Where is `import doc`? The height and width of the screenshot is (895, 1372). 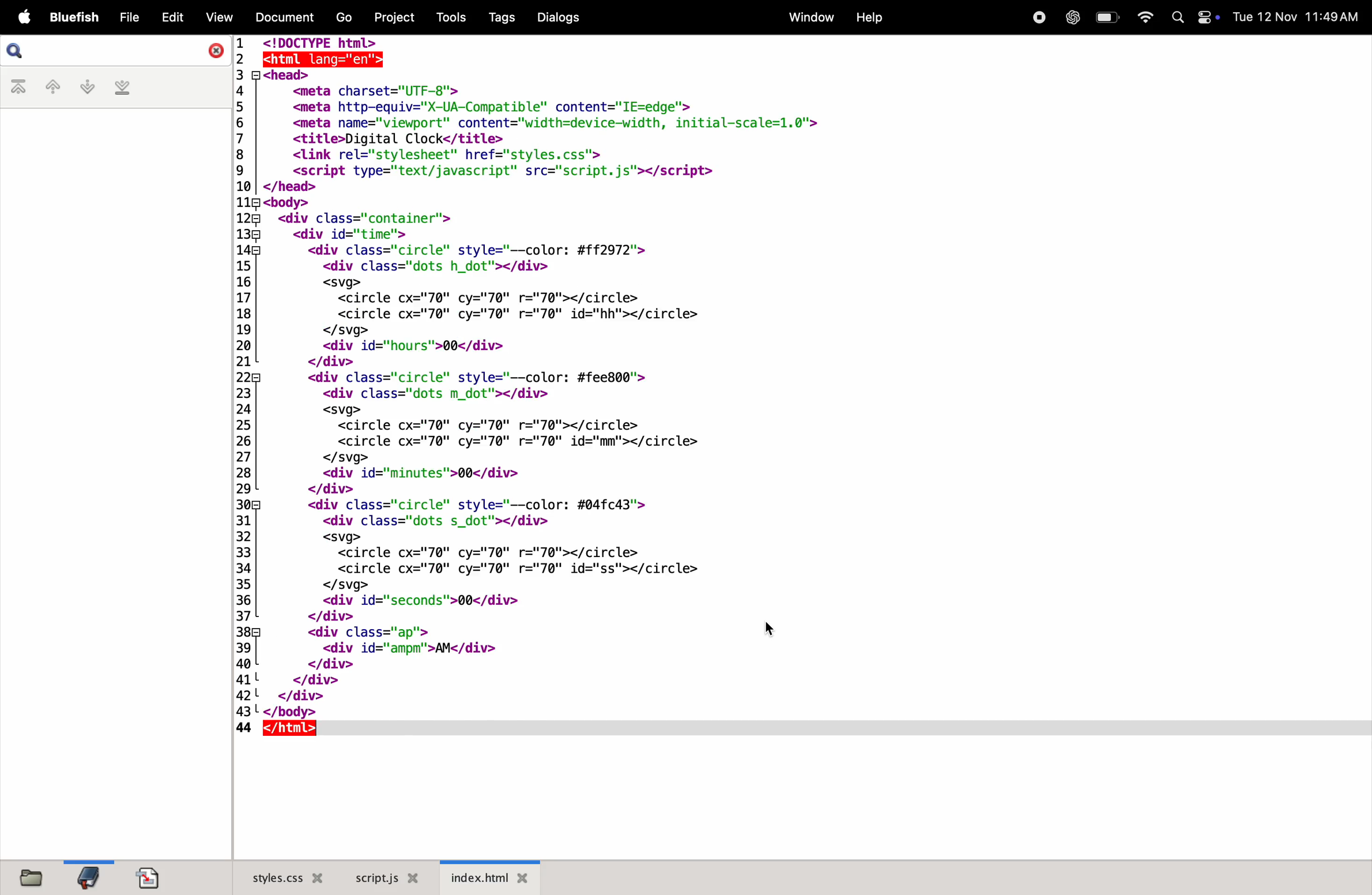
import doc is located at coordinates (148, 877).